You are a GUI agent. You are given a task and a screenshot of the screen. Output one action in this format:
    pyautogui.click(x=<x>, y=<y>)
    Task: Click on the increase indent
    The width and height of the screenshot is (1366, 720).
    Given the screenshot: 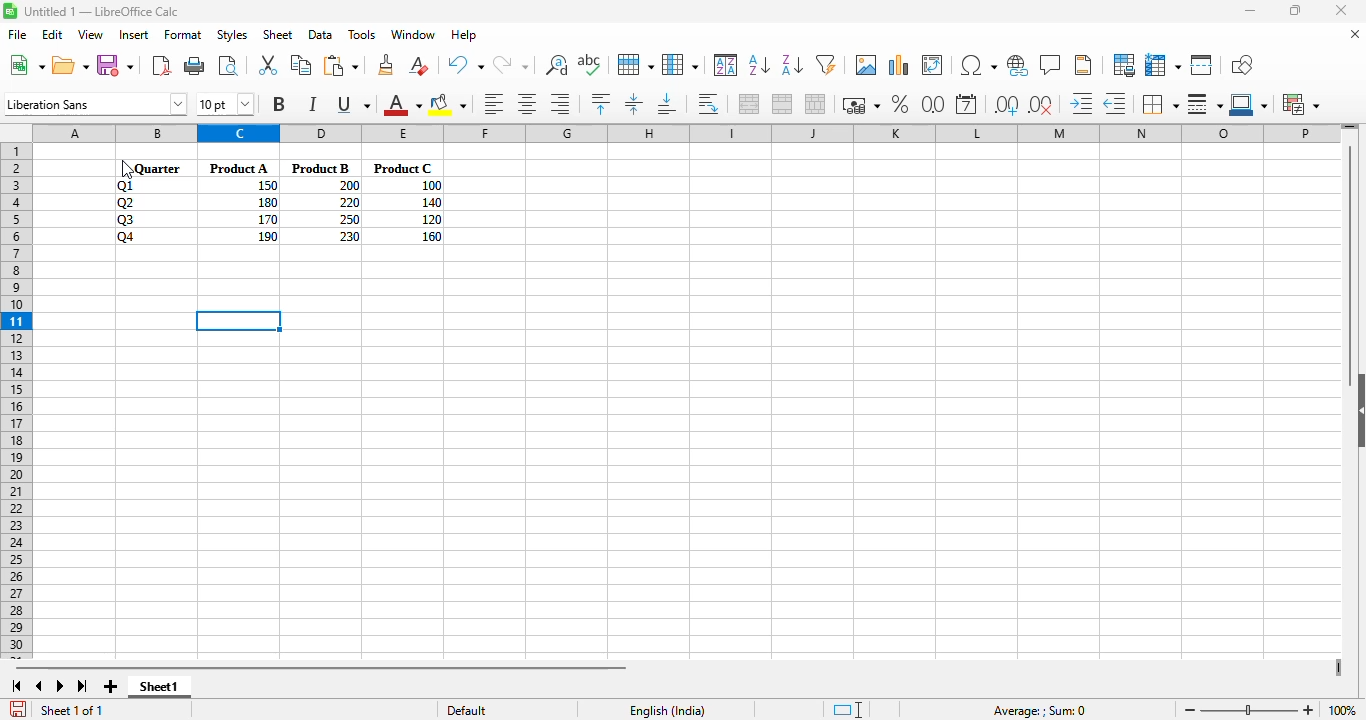 What is the action you would take?
    pyautogui.click(x=1082, y=103)
    